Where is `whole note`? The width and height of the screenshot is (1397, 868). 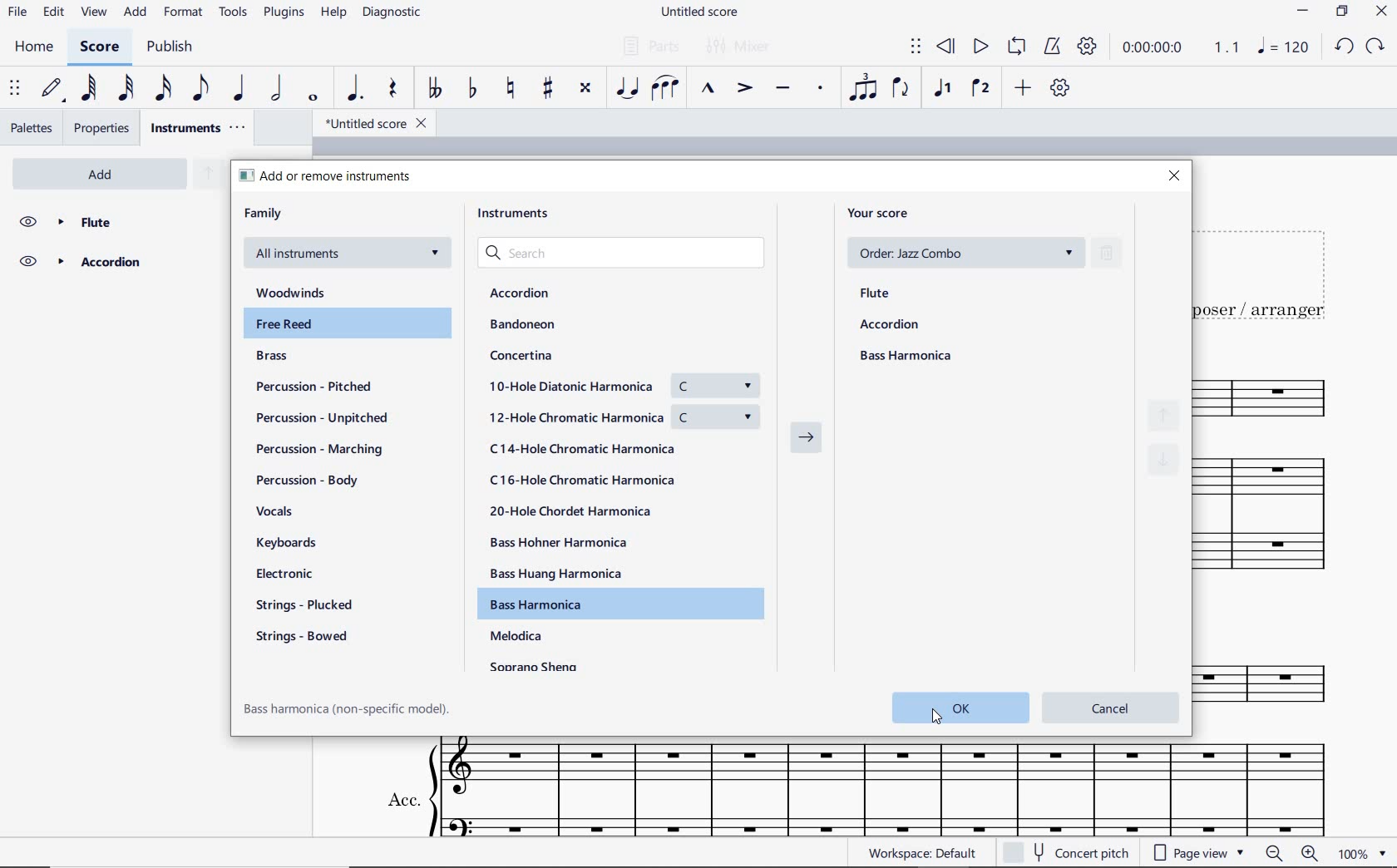
whole note is located at coordinates (311, 98).